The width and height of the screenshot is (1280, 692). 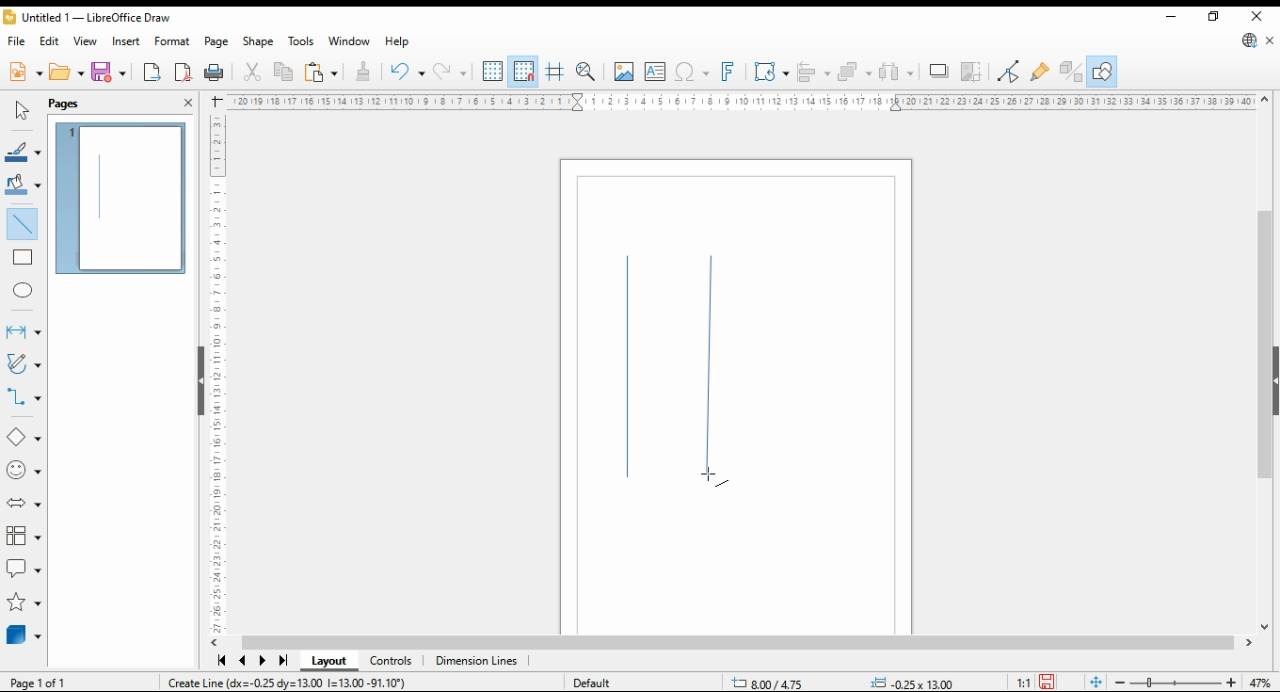 I want to click on export, so click(x=153, y=73).